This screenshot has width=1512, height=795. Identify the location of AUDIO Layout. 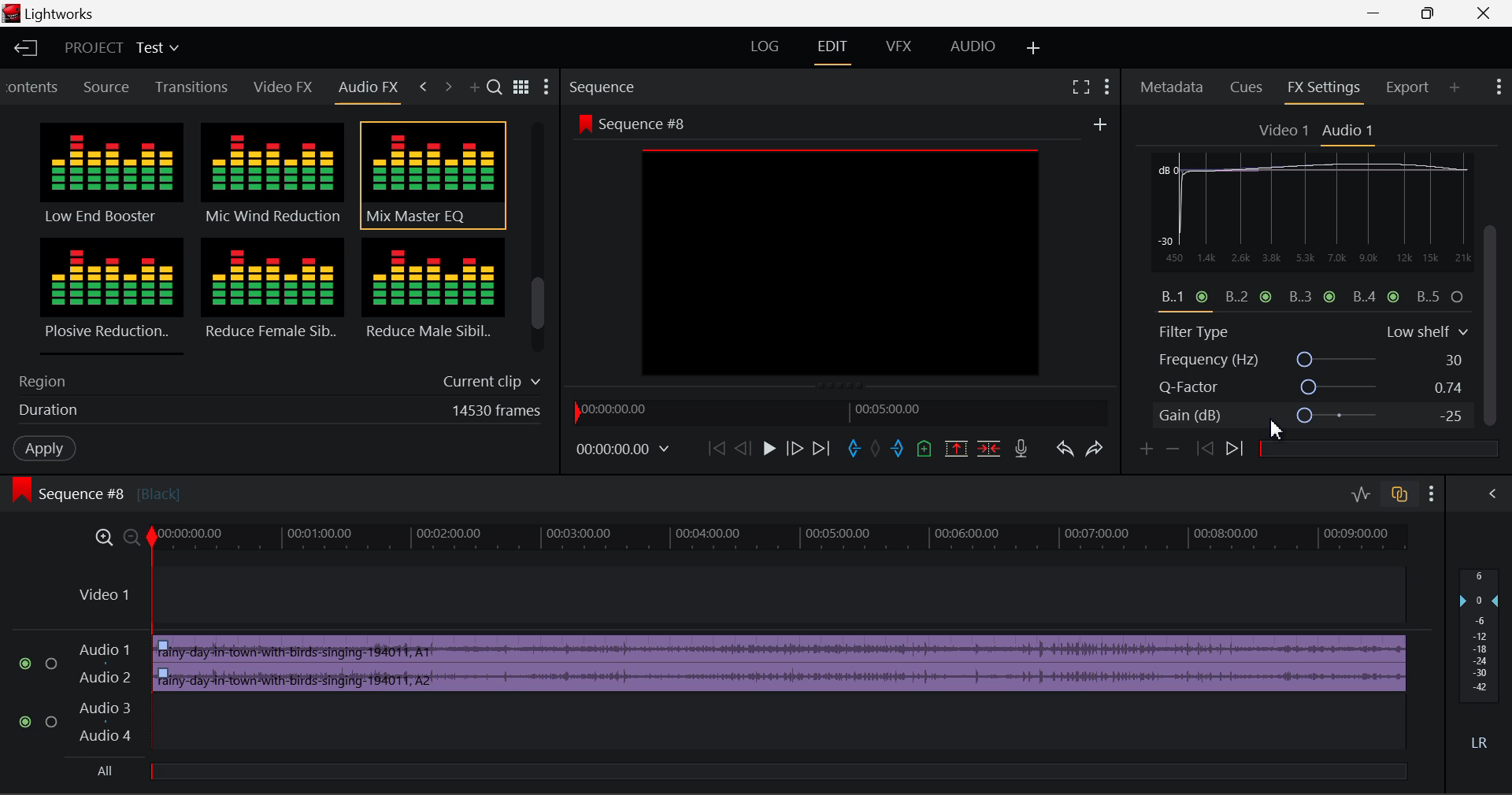
(972, 48).